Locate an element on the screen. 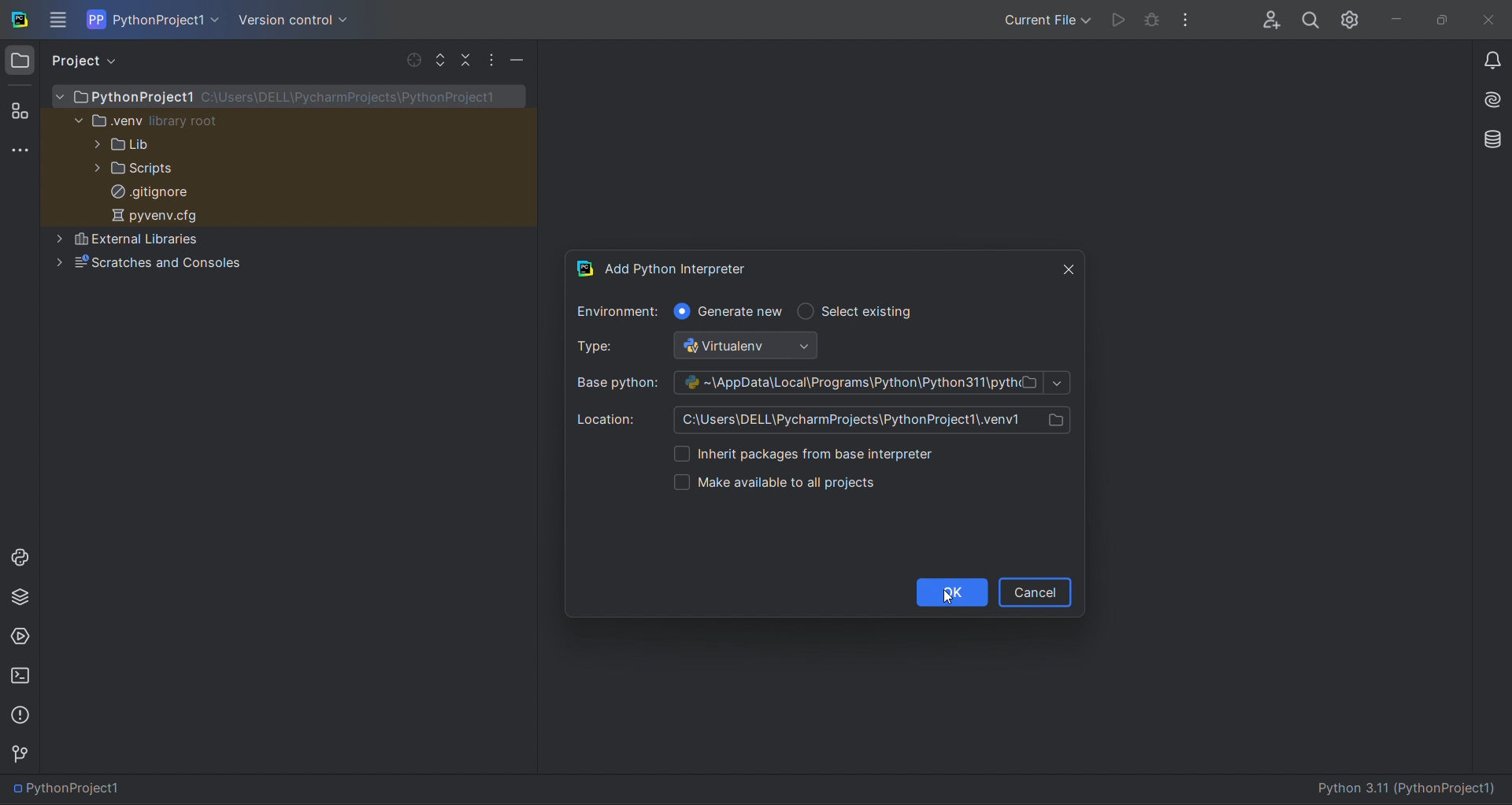  version control is located at coordinates (291, 20).